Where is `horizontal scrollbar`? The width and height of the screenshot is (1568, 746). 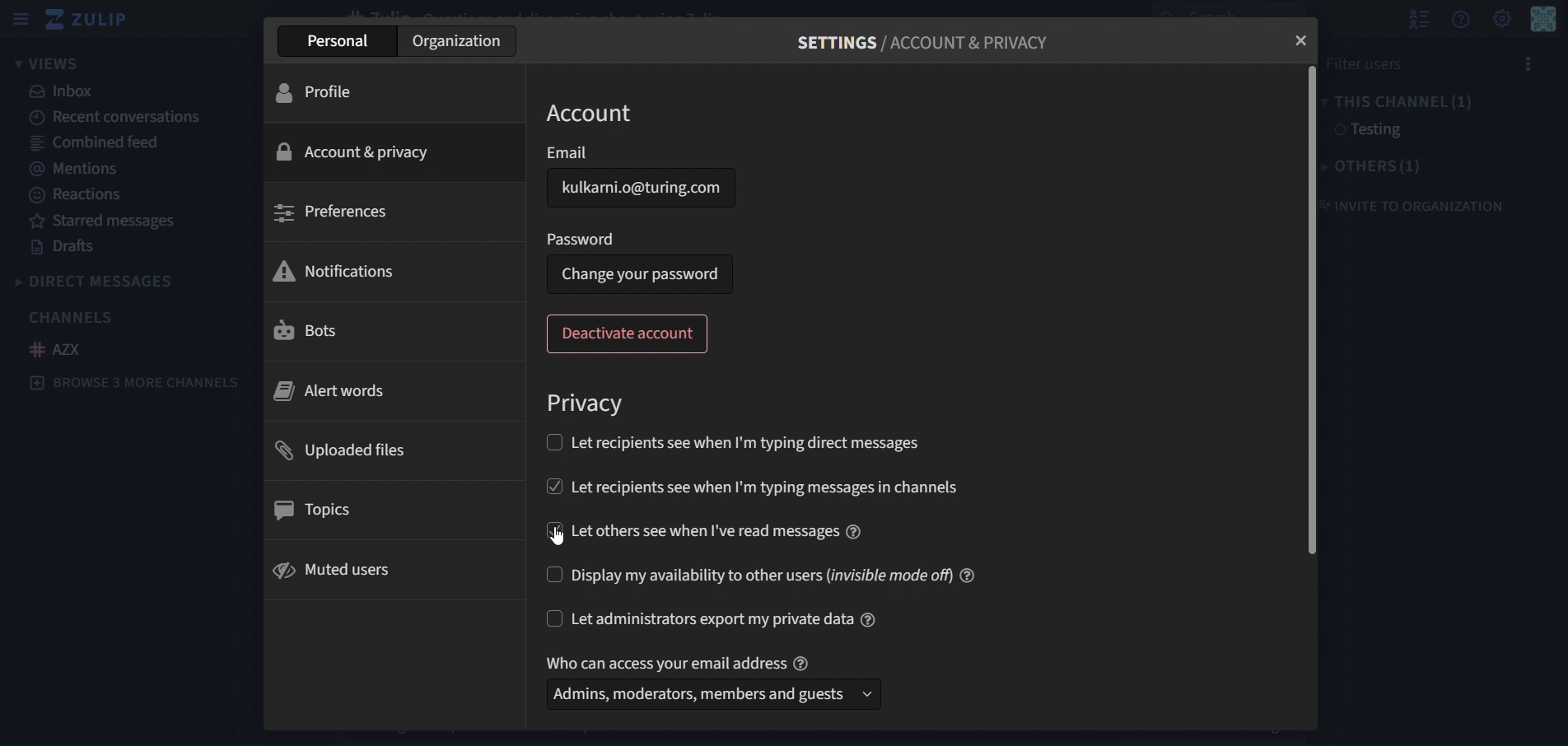
horizontal scrollbar is located at coordinates (1307, 310).